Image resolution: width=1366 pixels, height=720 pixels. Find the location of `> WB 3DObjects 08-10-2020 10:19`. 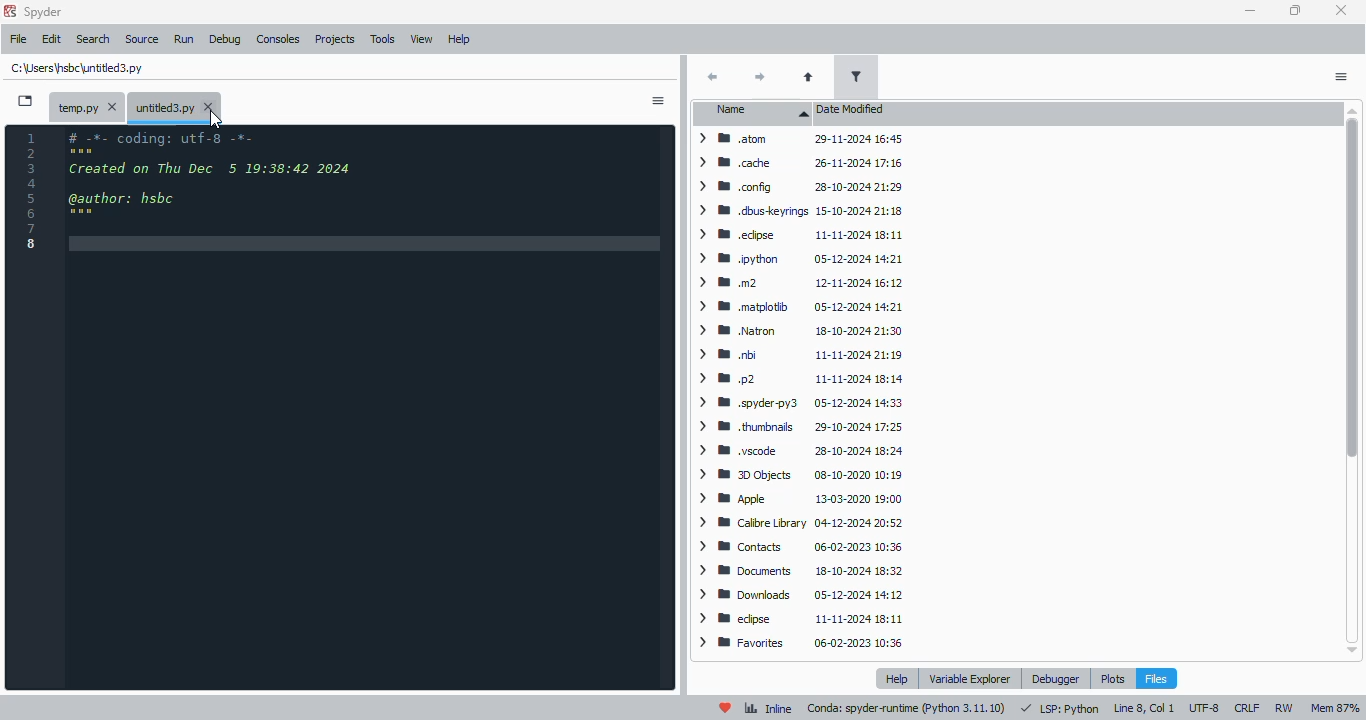

> WB 3DObjects 08-10-2020 10:19 is located at coordinates (796, 475).